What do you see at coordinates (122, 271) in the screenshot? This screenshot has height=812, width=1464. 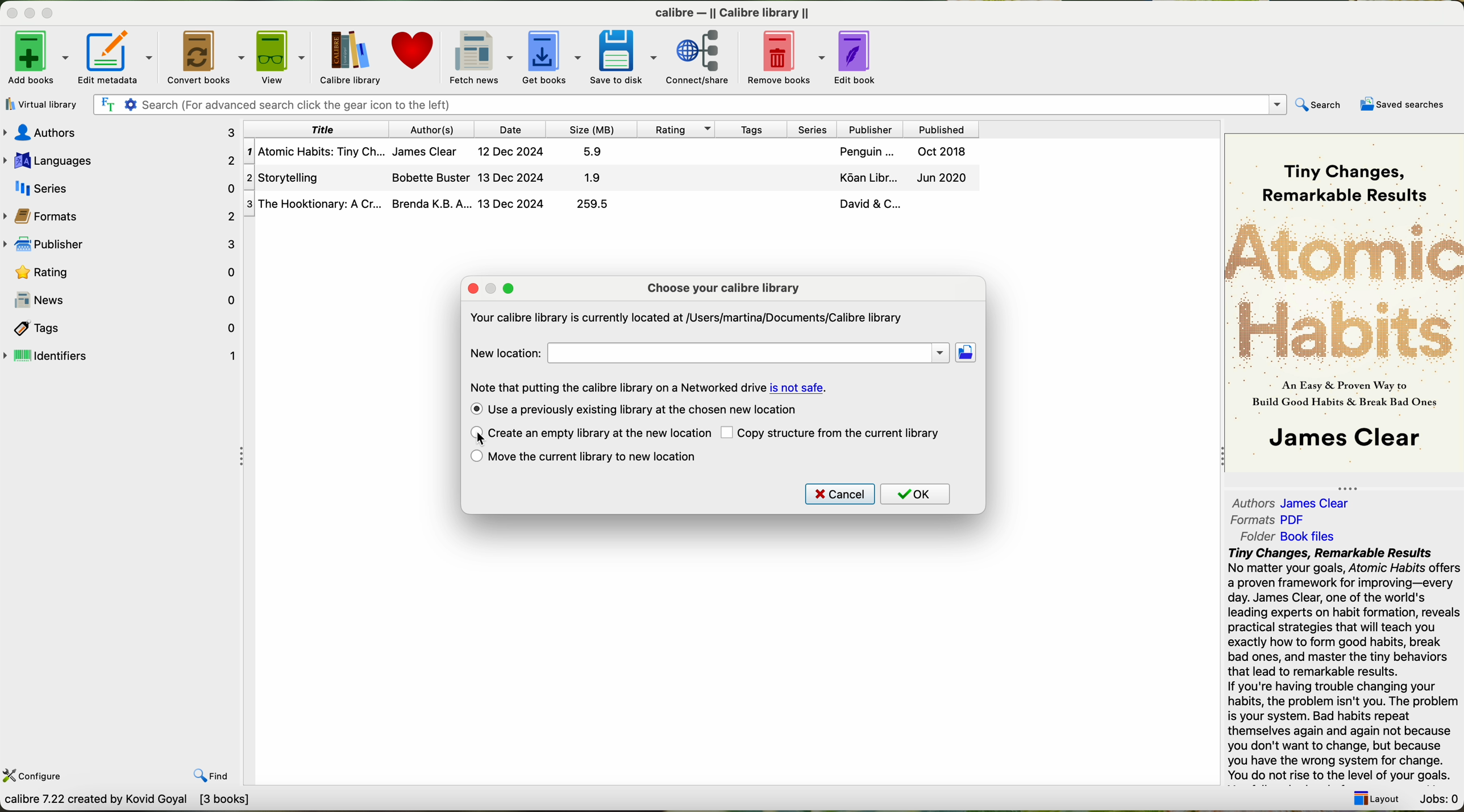 I see `rating` at bounding box center [122, 271].